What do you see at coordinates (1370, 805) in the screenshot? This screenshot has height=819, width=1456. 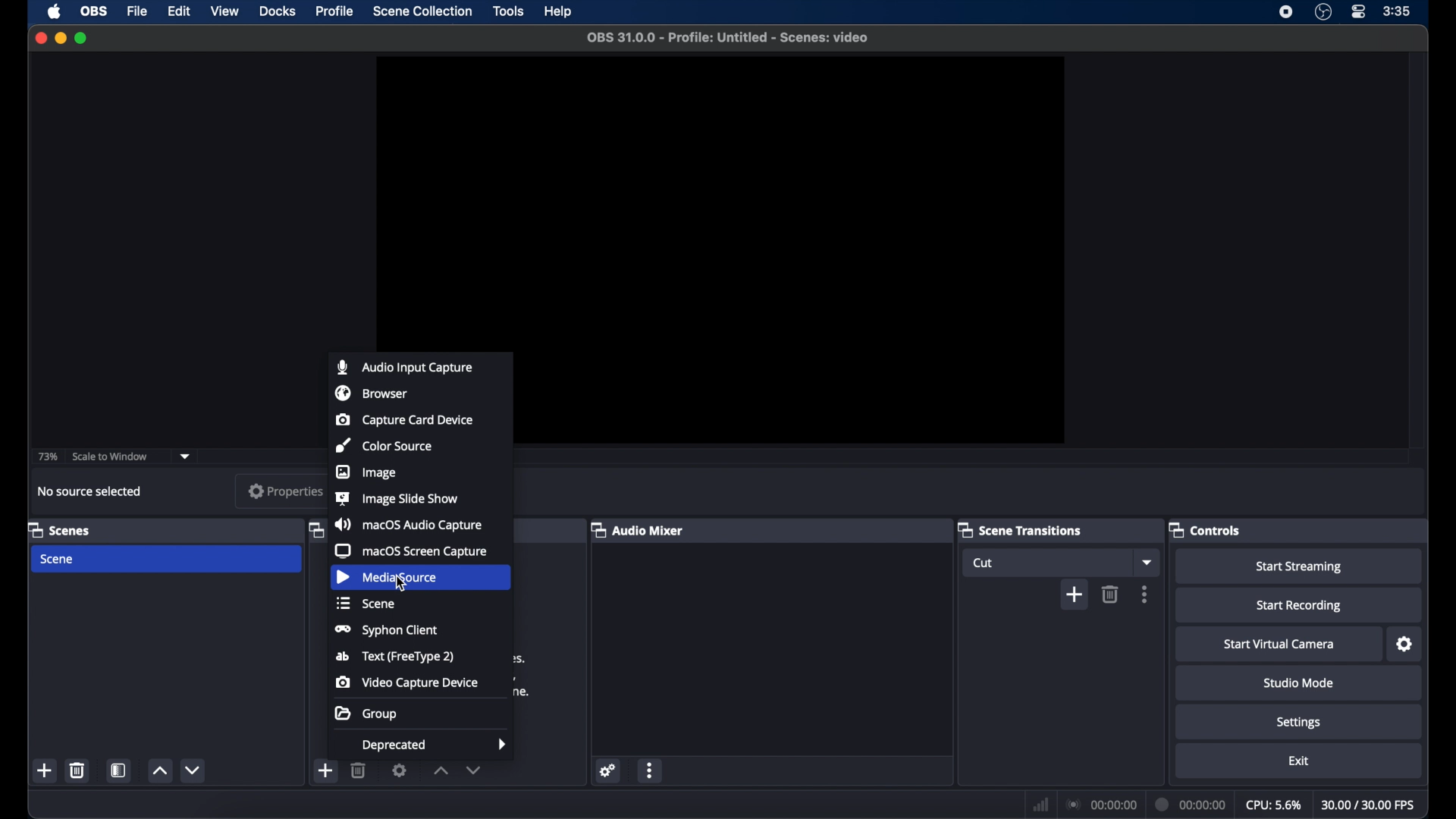 I see `fps` at bounding box center [1370, 805].